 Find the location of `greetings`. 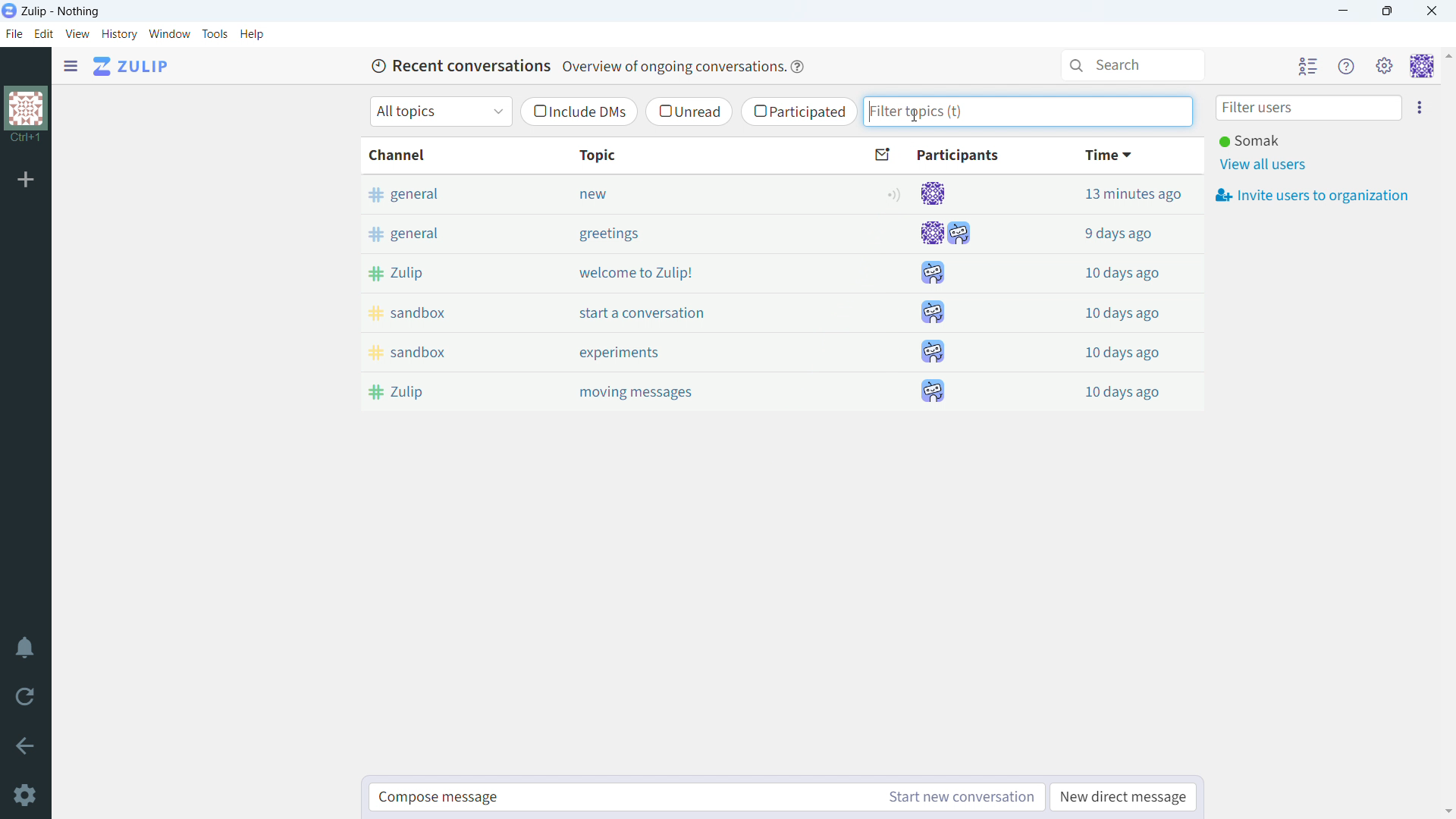

greetings is located at coordinates (694, 234).